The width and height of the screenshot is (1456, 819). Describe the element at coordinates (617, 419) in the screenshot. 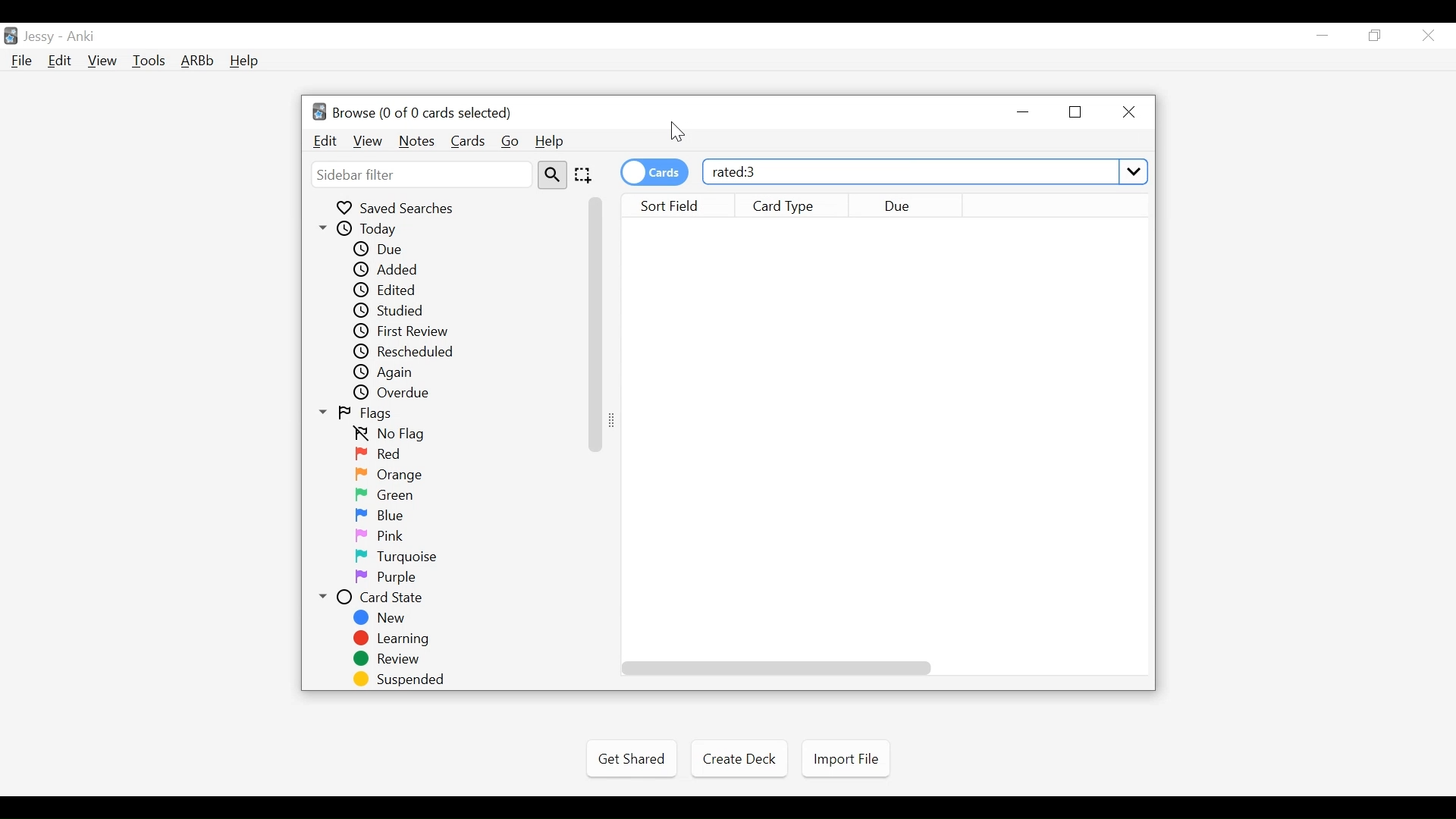

I see `Resize` at that location.